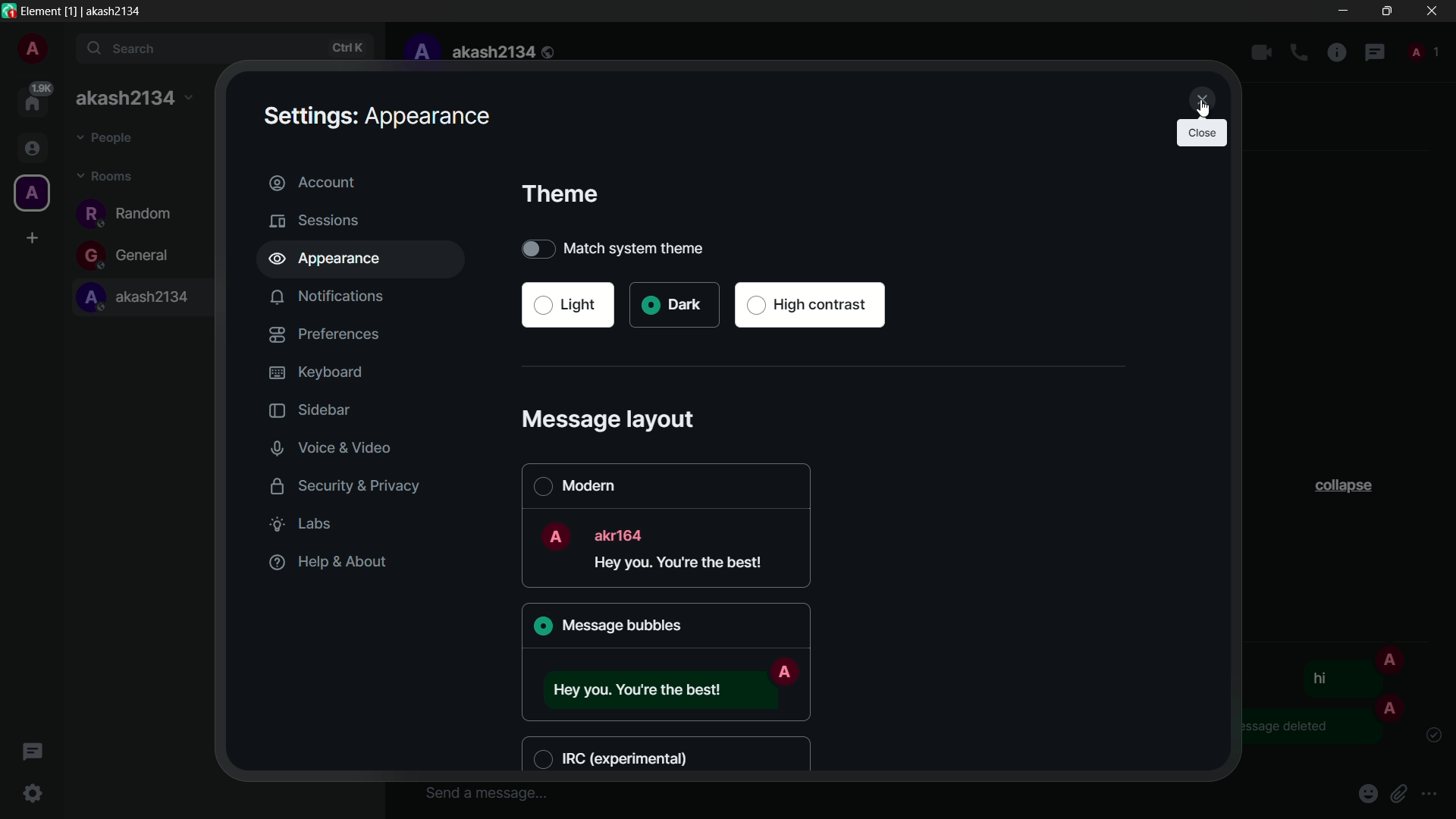 Image resolution: width=1456 pixels, height=819 pixels. I want to click on close, so click(1199, 98).